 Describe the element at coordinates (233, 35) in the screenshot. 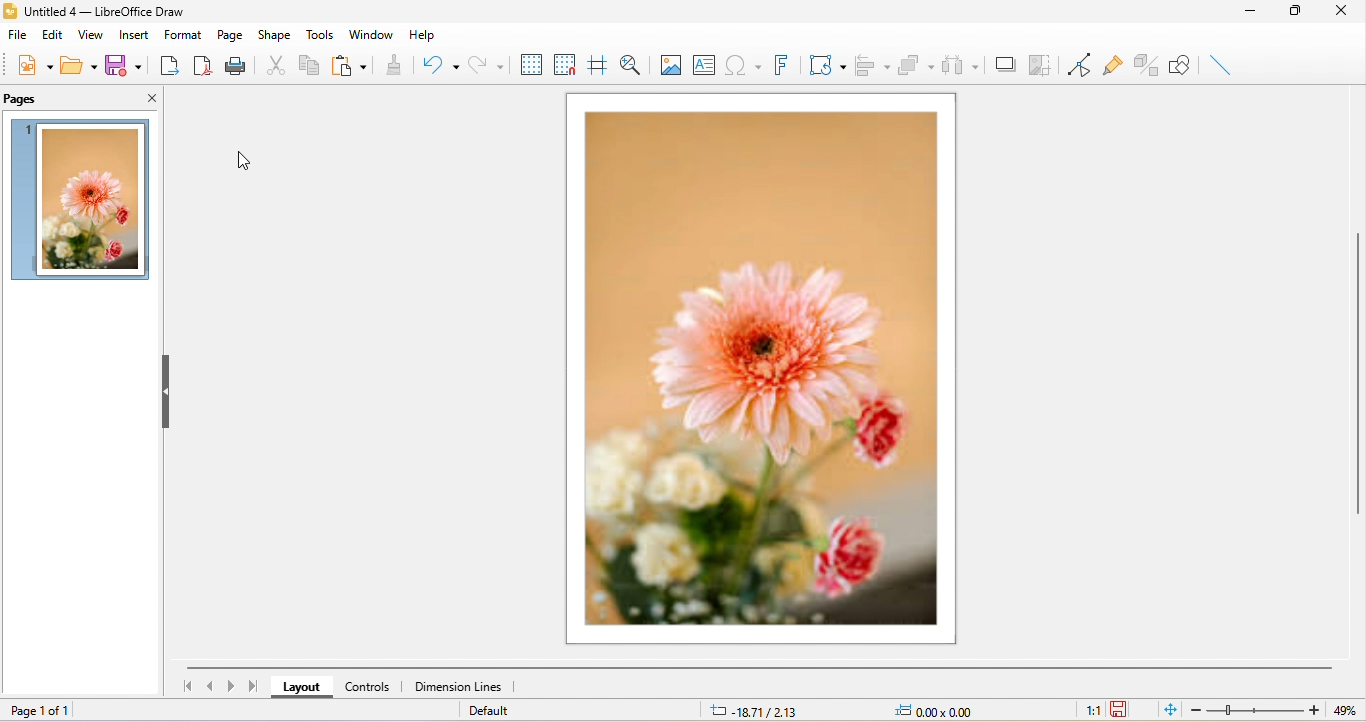

I see `page` at that location.